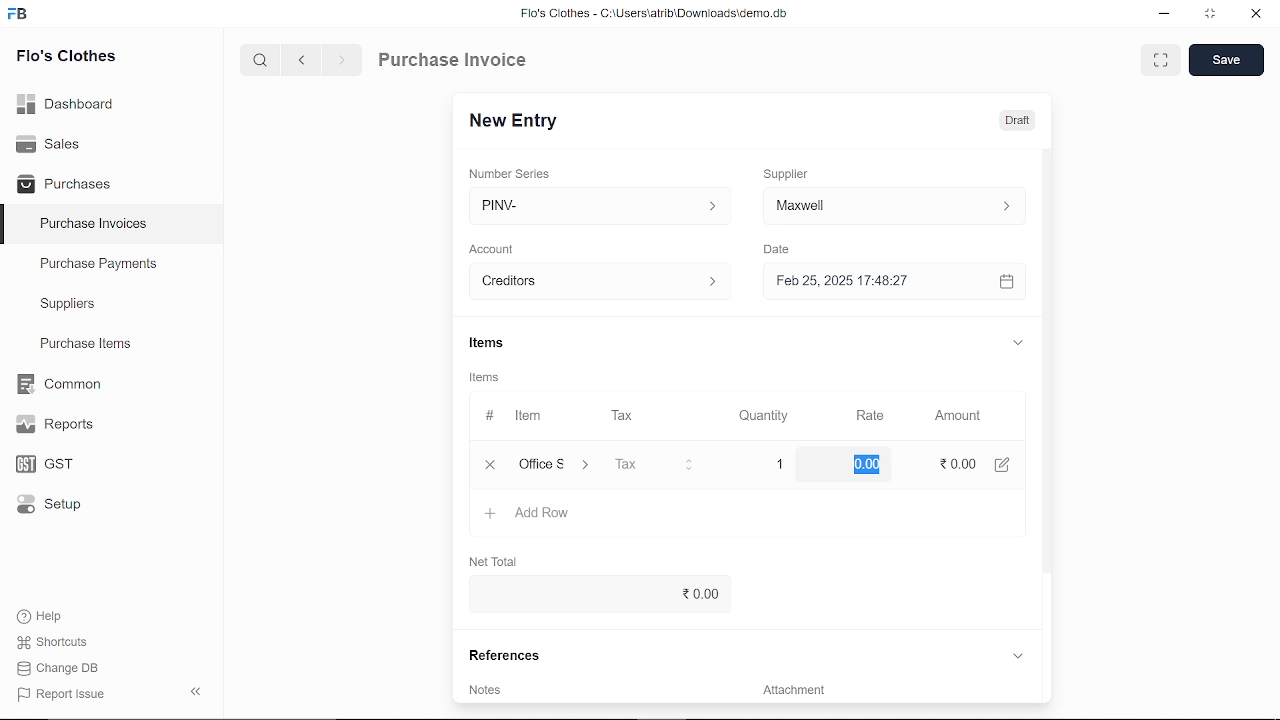 Image resolution: width=1280 pixels, height=720 pixels. I want to click on previous, so click(303, 62).